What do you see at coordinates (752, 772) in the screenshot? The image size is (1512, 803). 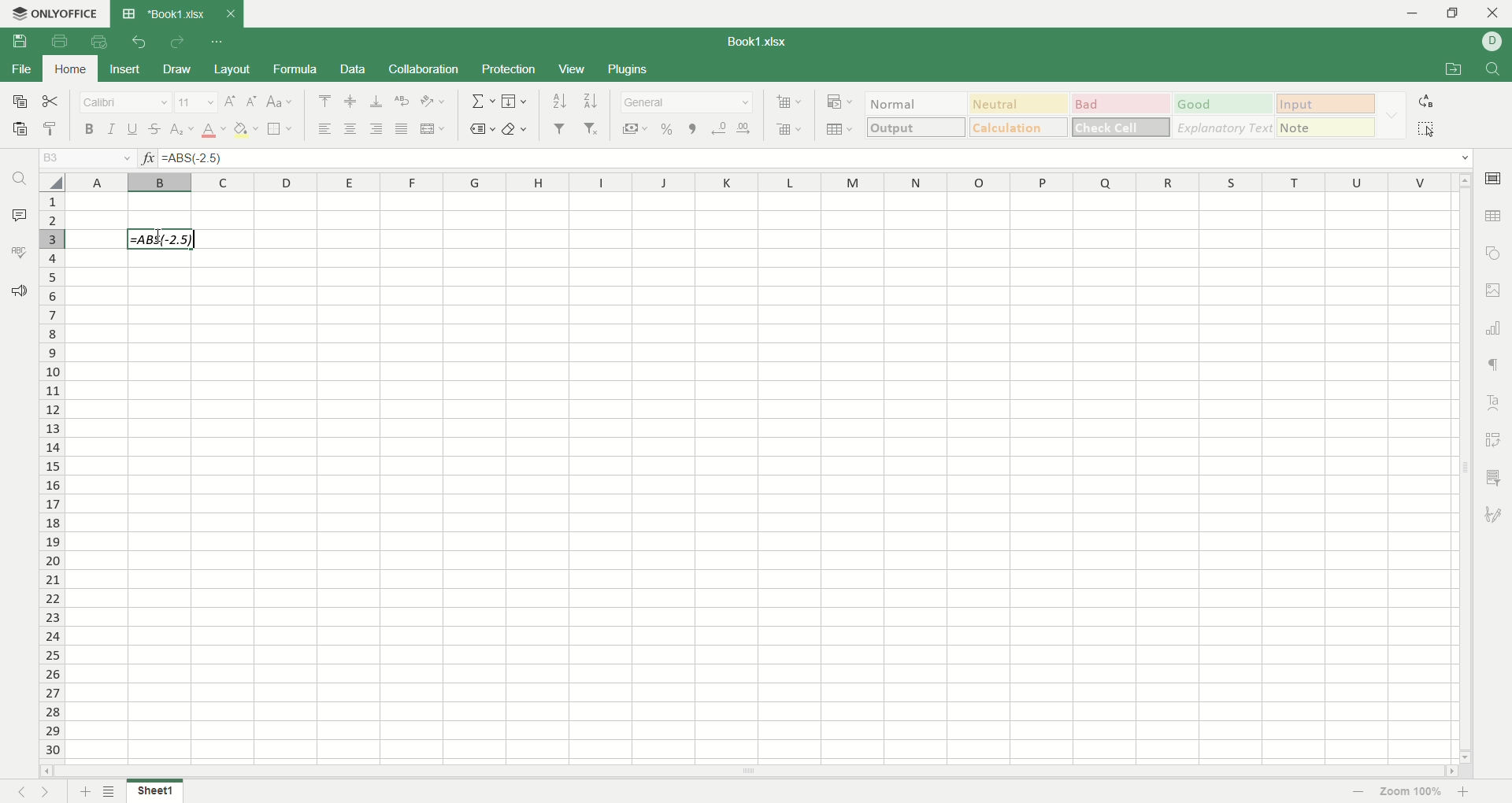 I see `horizontal scroll bar` at bounding box center [752, 772].